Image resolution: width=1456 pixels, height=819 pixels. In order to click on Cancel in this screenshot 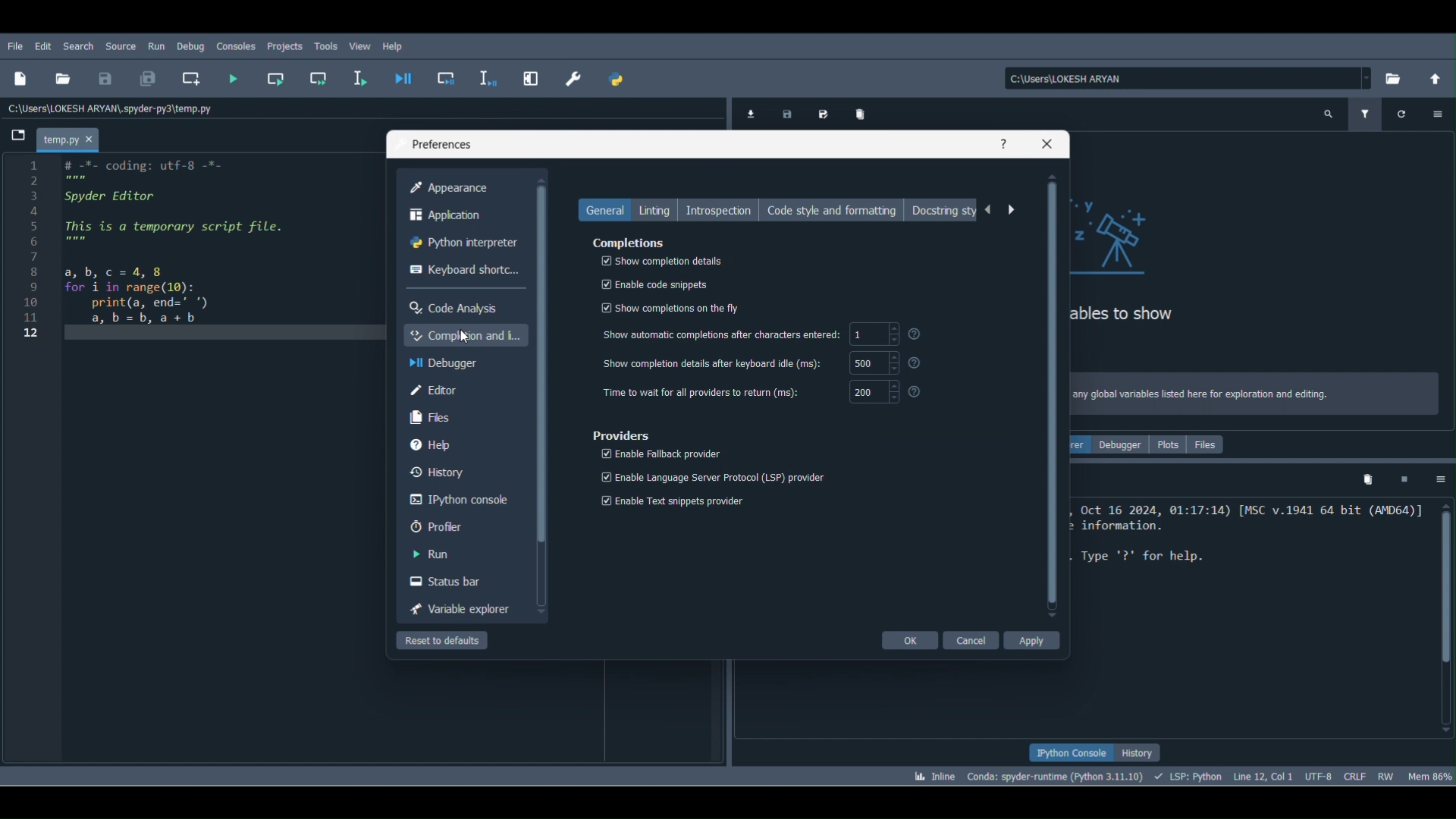, I will do `click(973, 640)`.